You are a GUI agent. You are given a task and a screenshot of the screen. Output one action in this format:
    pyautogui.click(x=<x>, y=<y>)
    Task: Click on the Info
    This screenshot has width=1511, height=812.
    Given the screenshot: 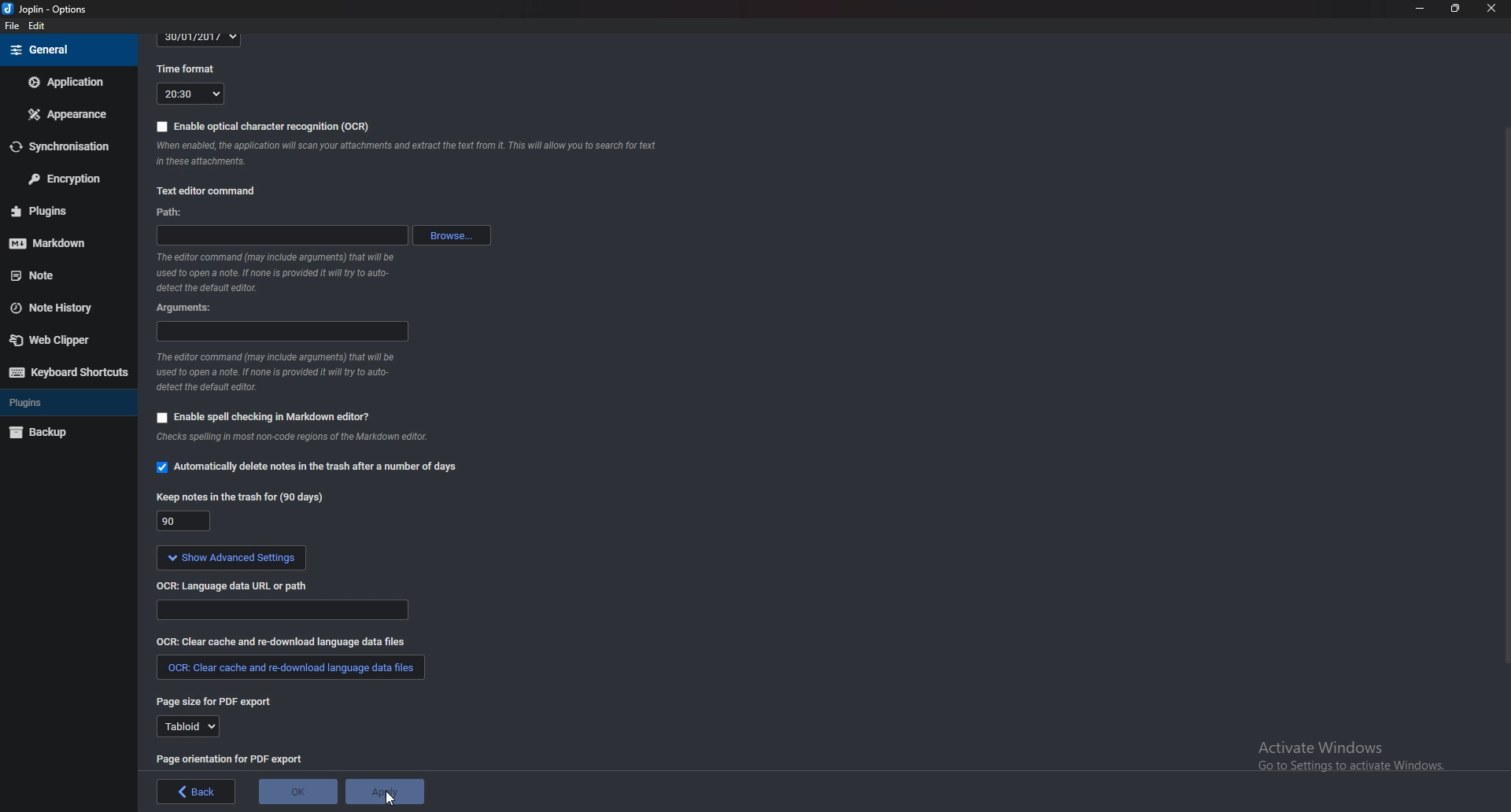 What is the action you would take?
    pyautogui.click(x=413, y=157)
    